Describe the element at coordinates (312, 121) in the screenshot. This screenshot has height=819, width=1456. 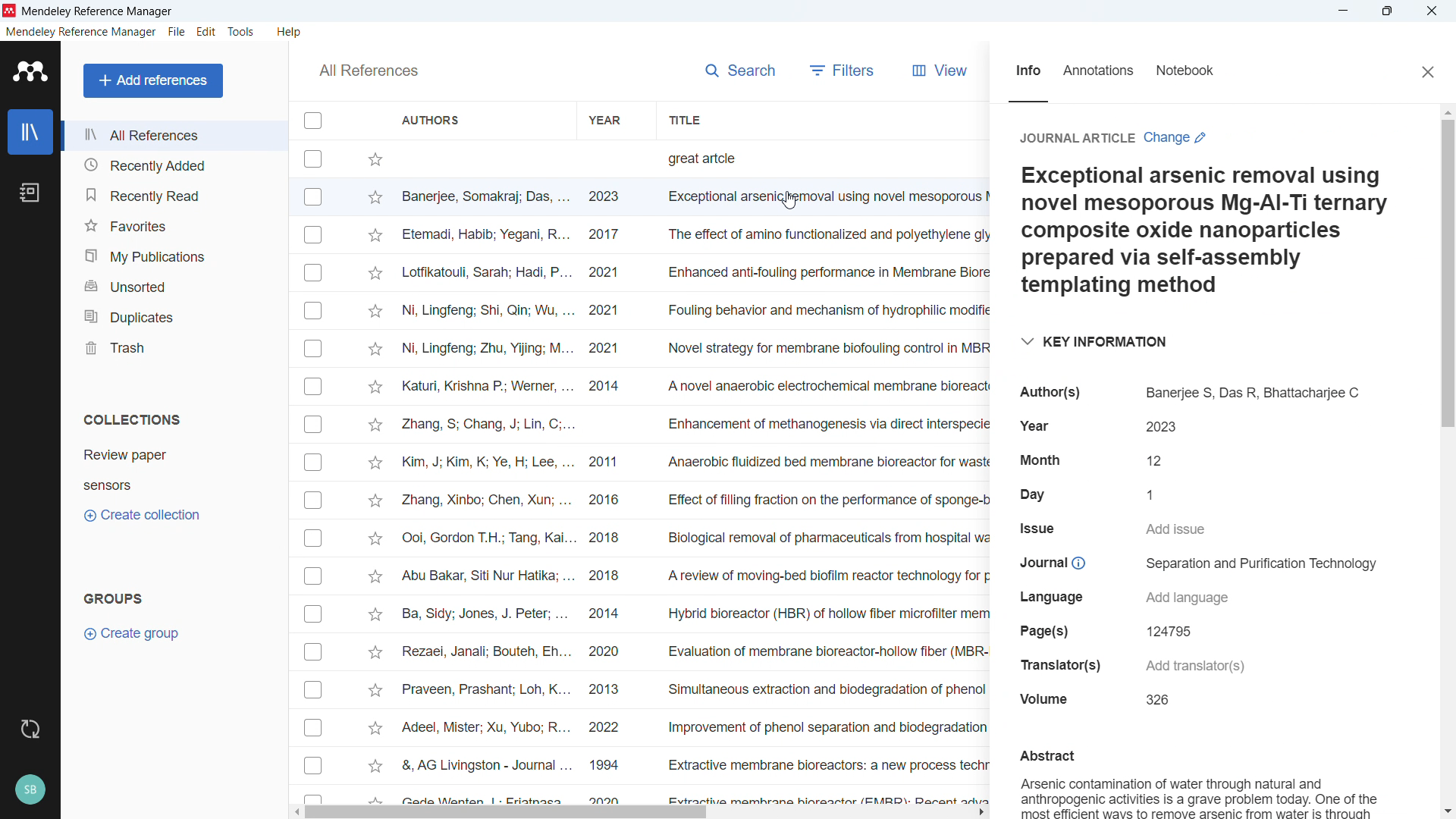
I see `Select all ` at that location.